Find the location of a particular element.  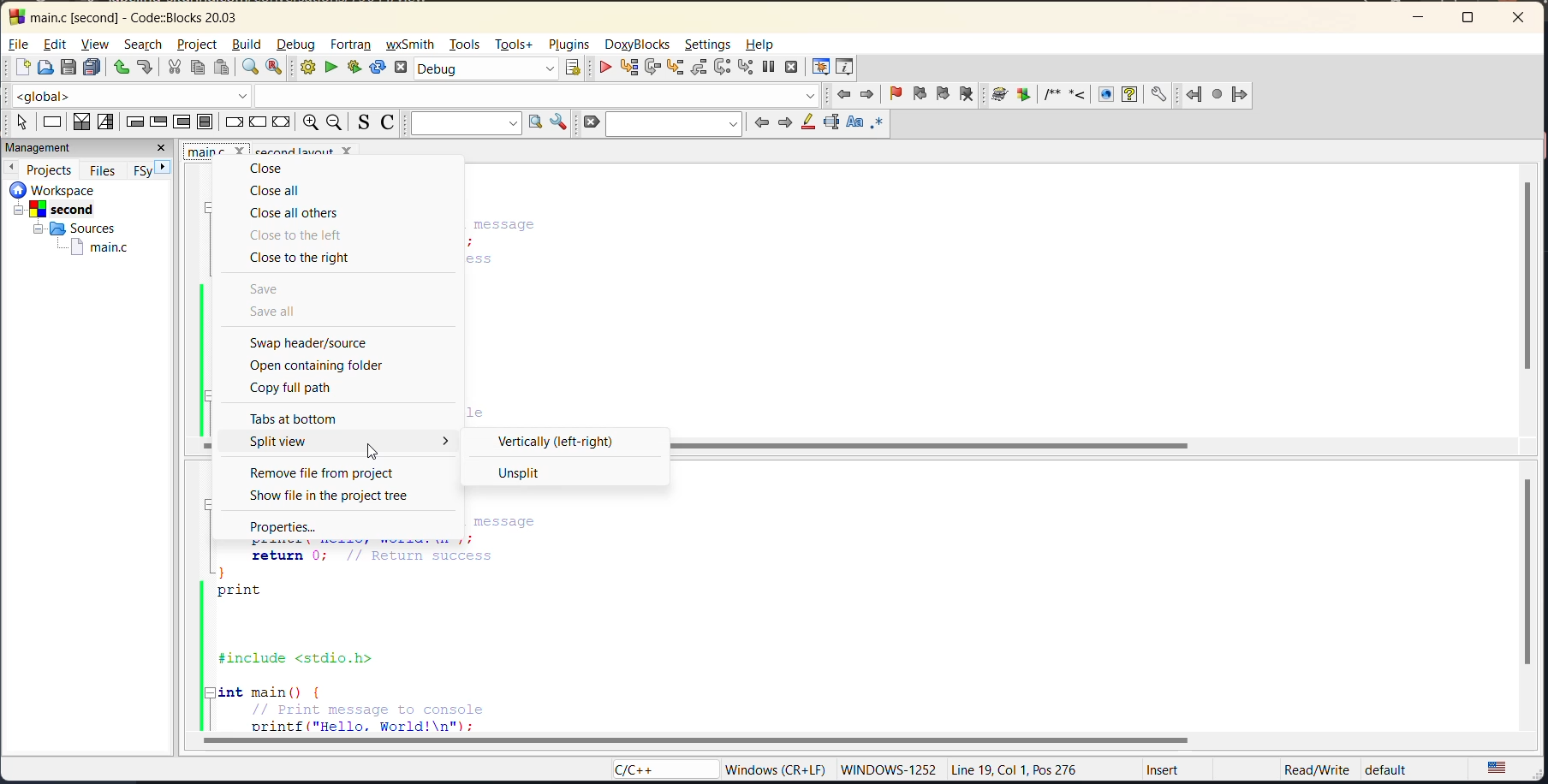

scrollbar is located at coordinates (933, 448).